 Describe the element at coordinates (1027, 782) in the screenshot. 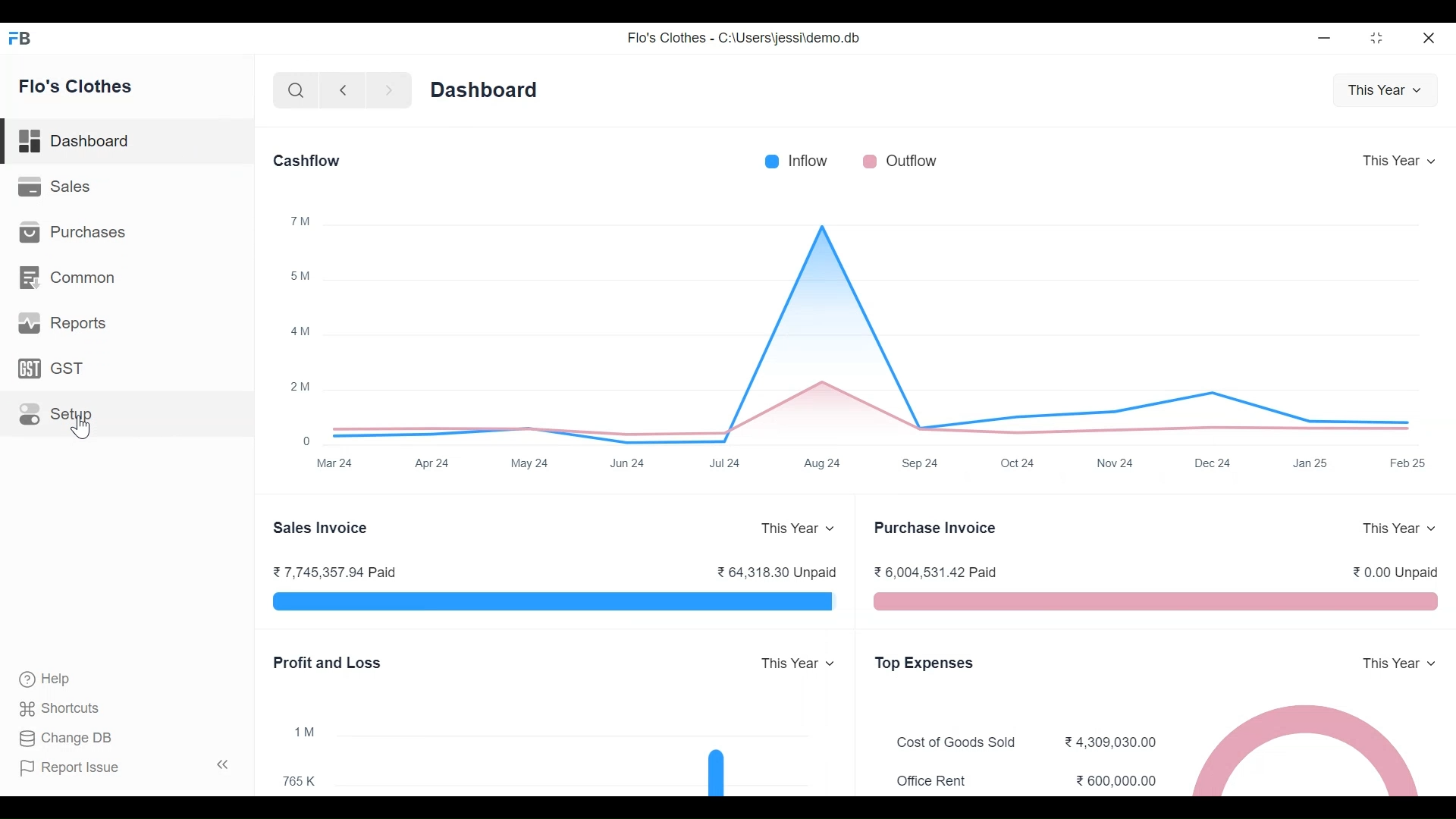

I see `Office Rent  ₹600,000.00` at that location.